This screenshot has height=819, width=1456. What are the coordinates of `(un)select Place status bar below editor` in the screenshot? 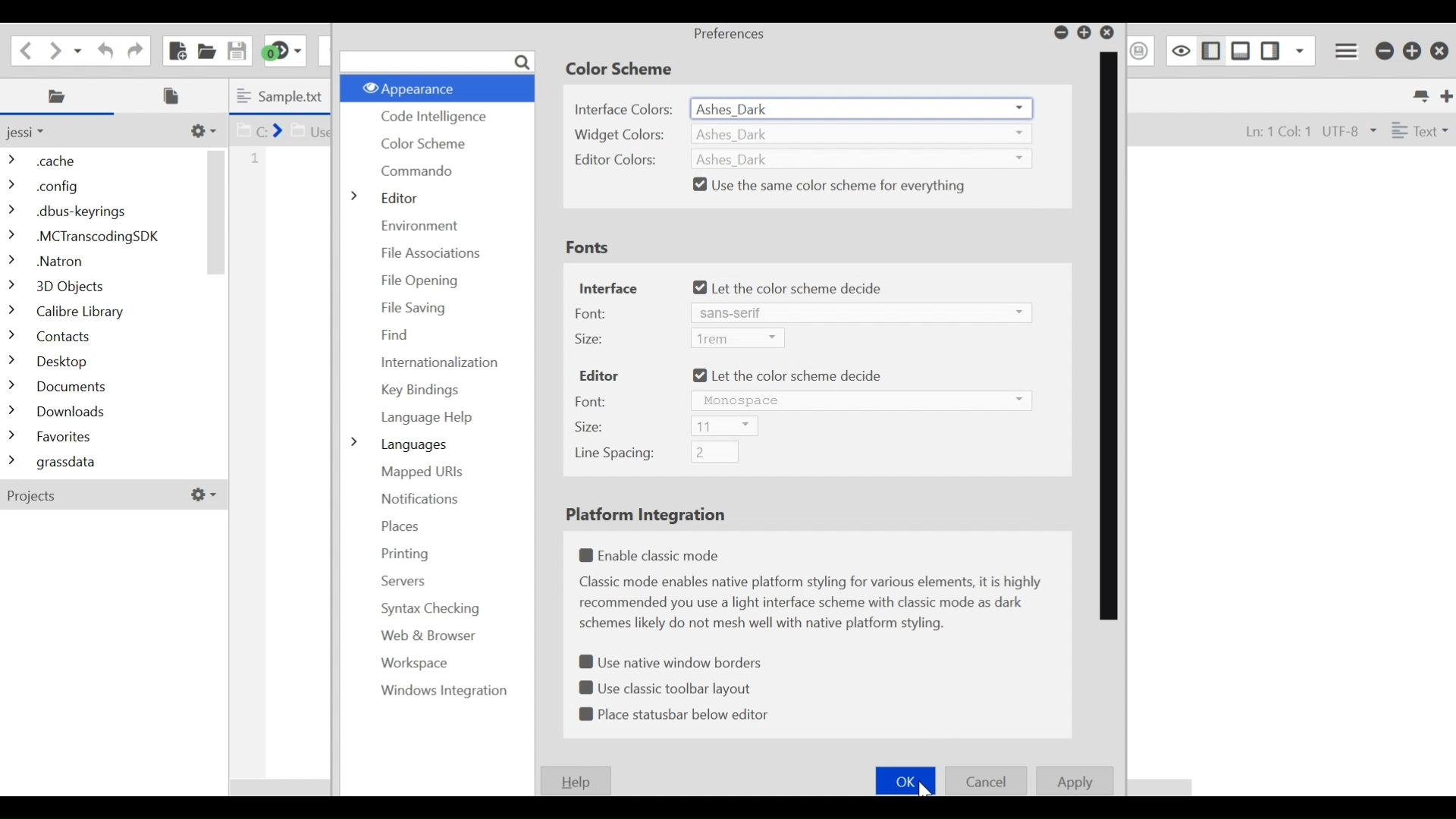 It's located at (676, 715).